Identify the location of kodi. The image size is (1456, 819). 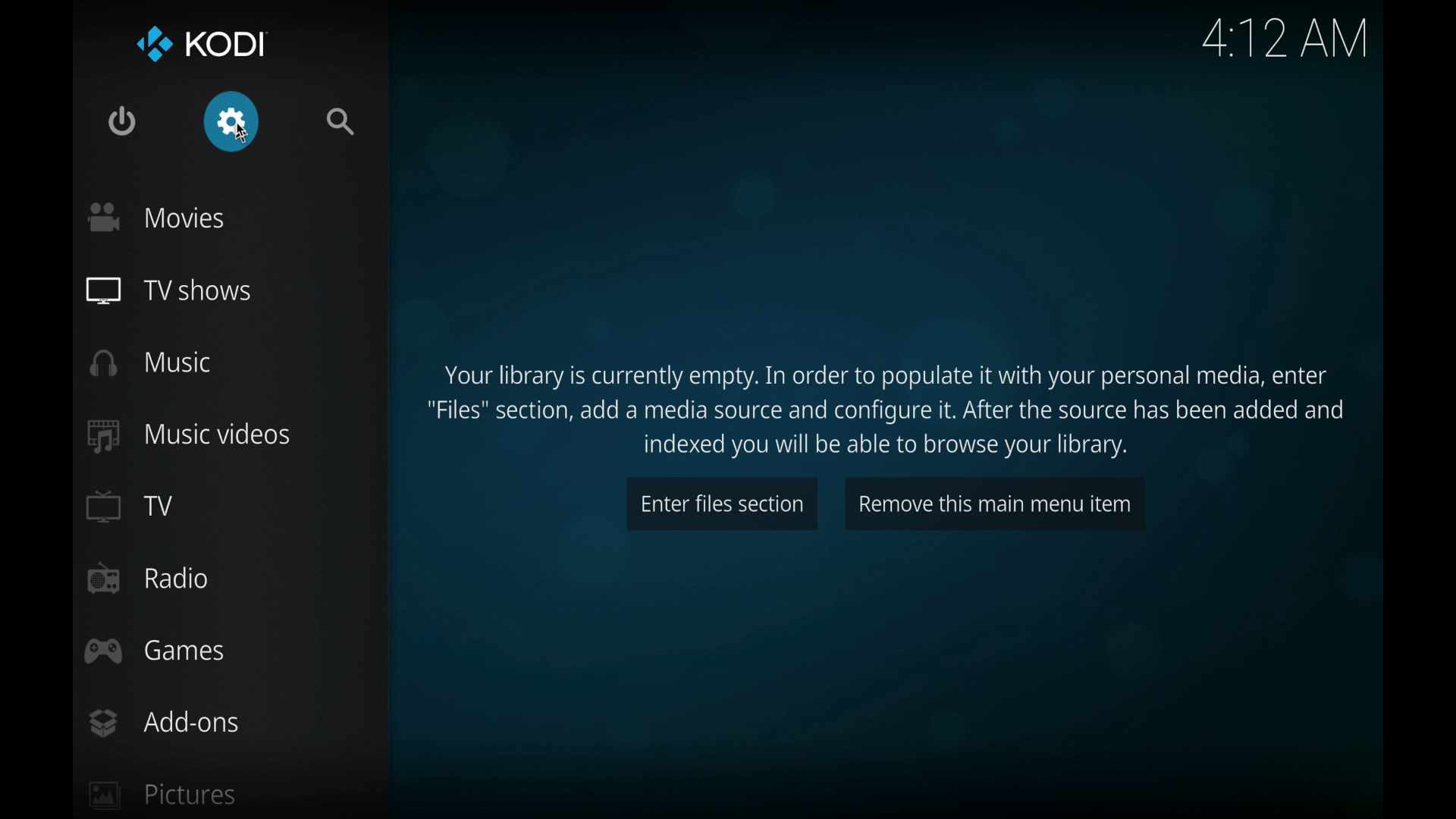
(228, 45).